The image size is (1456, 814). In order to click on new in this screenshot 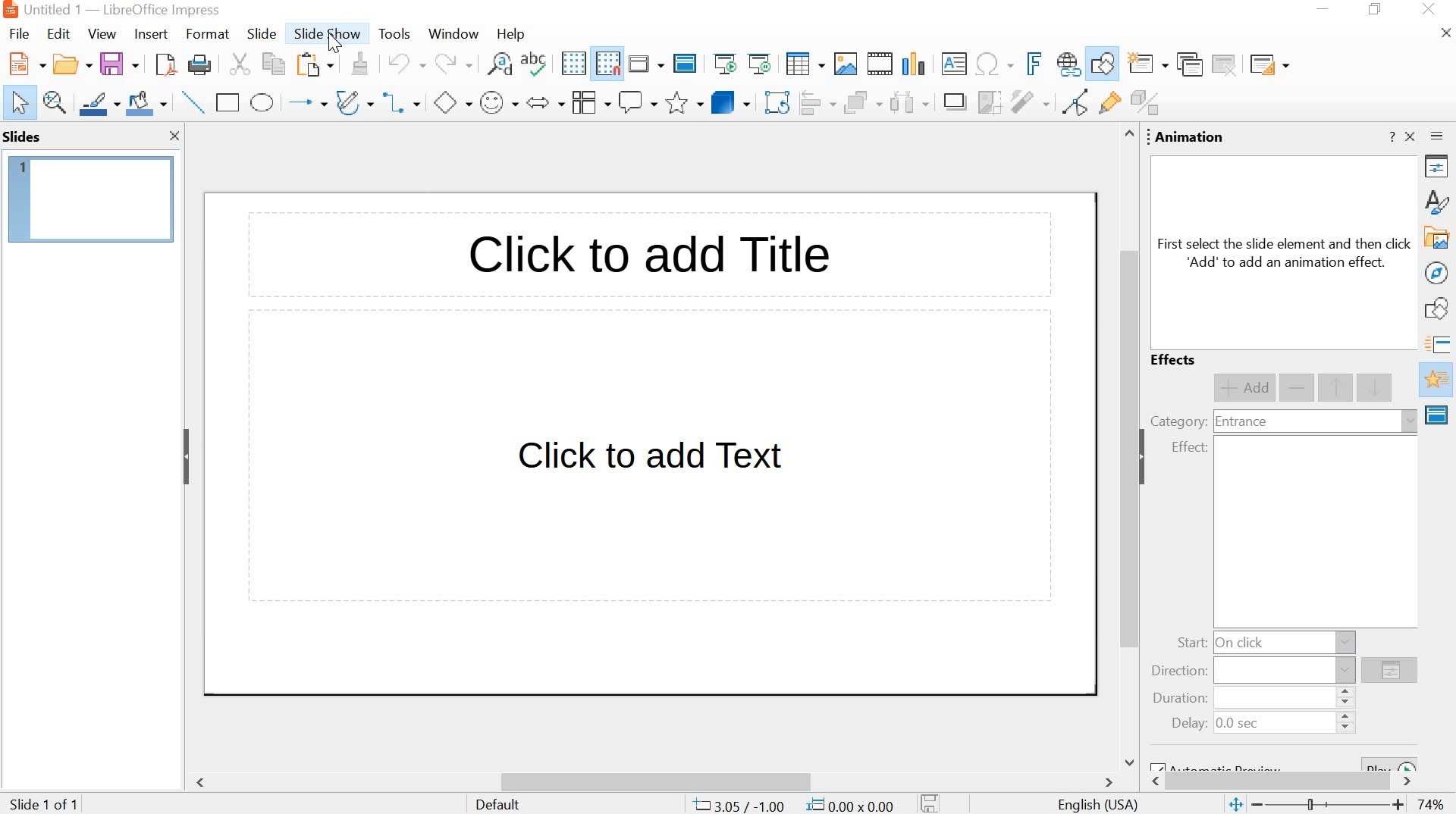, I will do `click(24, 64)`.